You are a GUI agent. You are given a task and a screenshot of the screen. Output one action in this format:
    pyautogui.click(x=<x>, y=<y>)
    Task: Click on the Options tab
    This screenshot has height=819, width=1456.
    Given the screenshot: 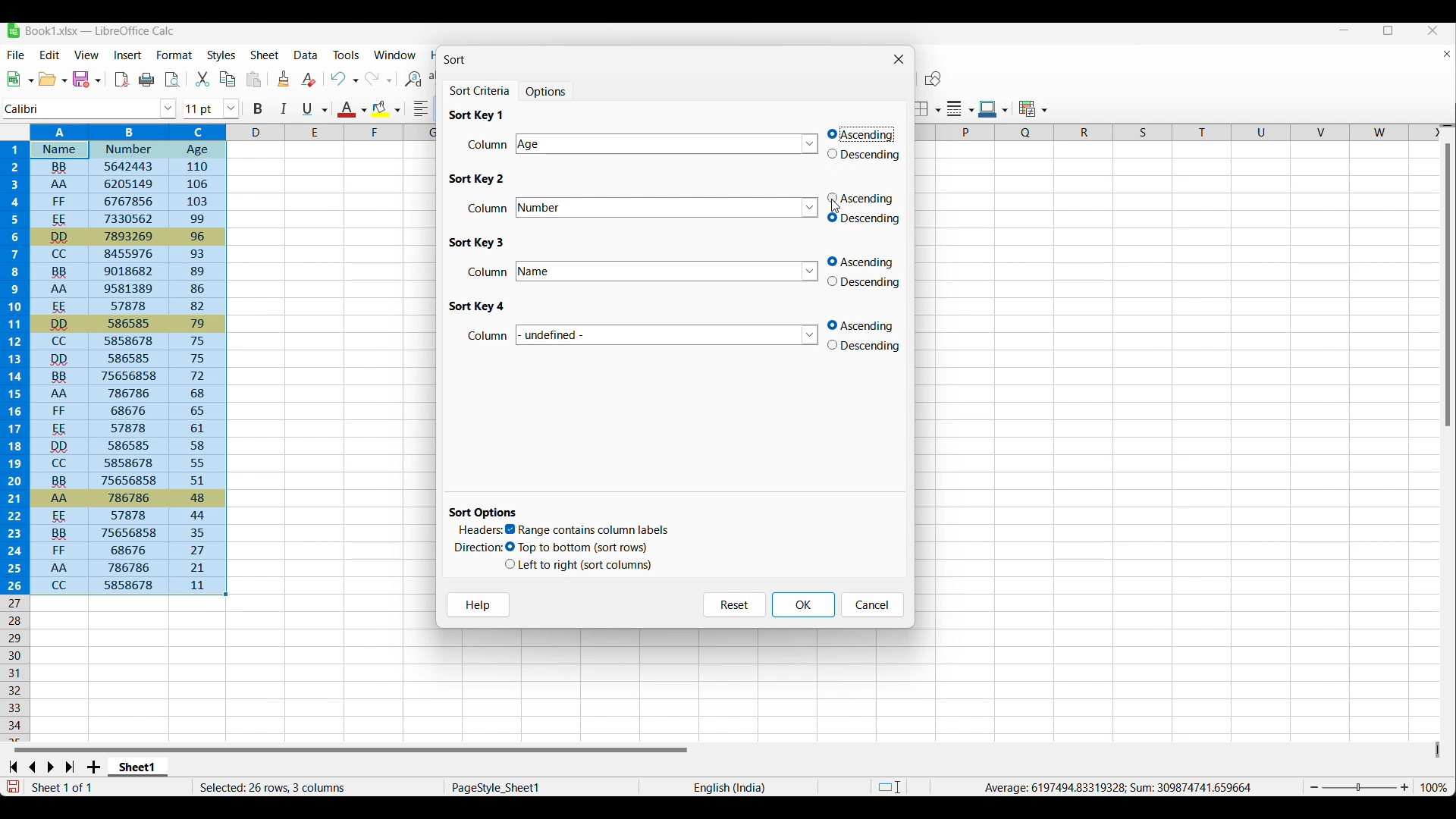 What is the action you would take?
    pyautogui.click(x=547, y=90)
    